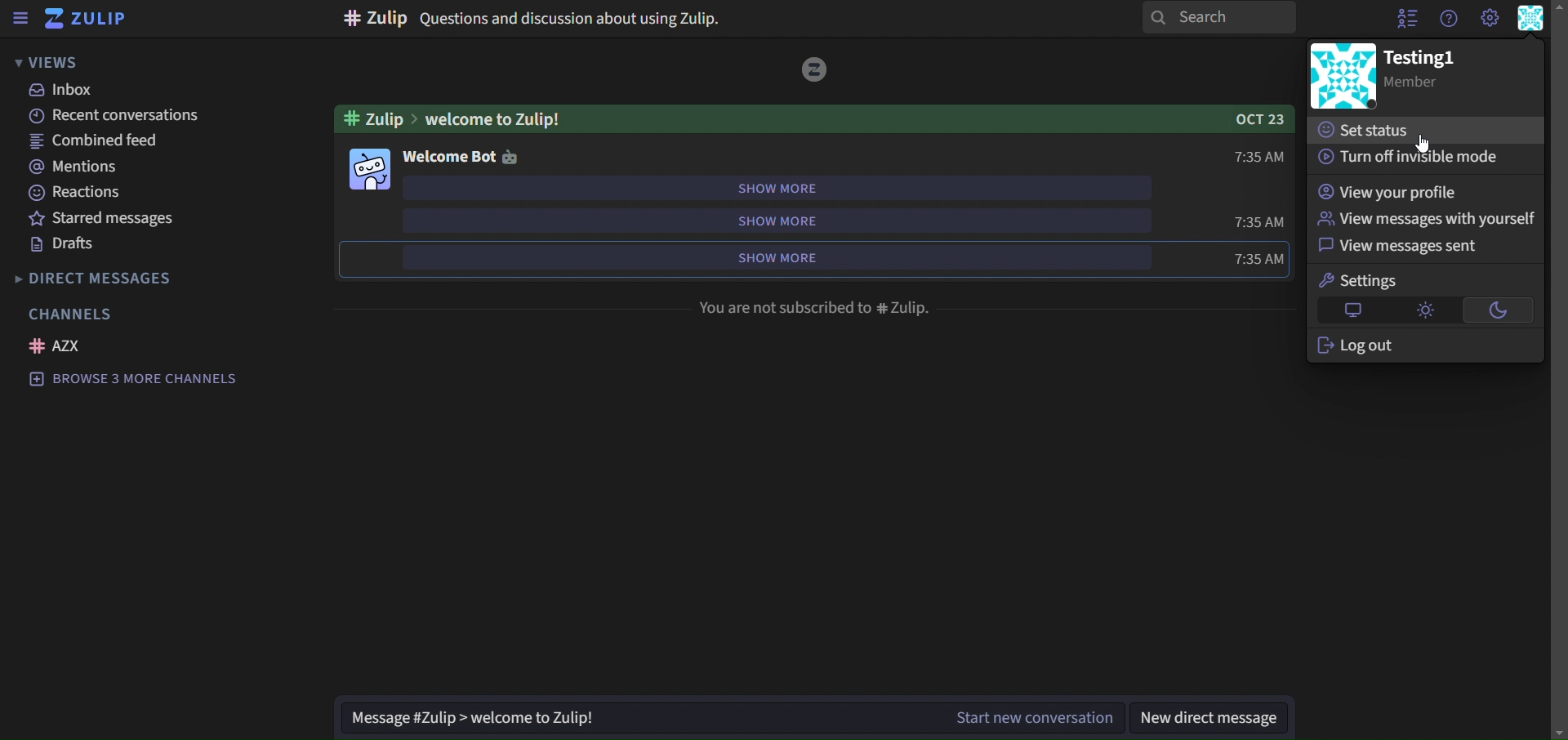 This screenshot has width=1568, height=740. I want to click on mentions, so click(75, 168).